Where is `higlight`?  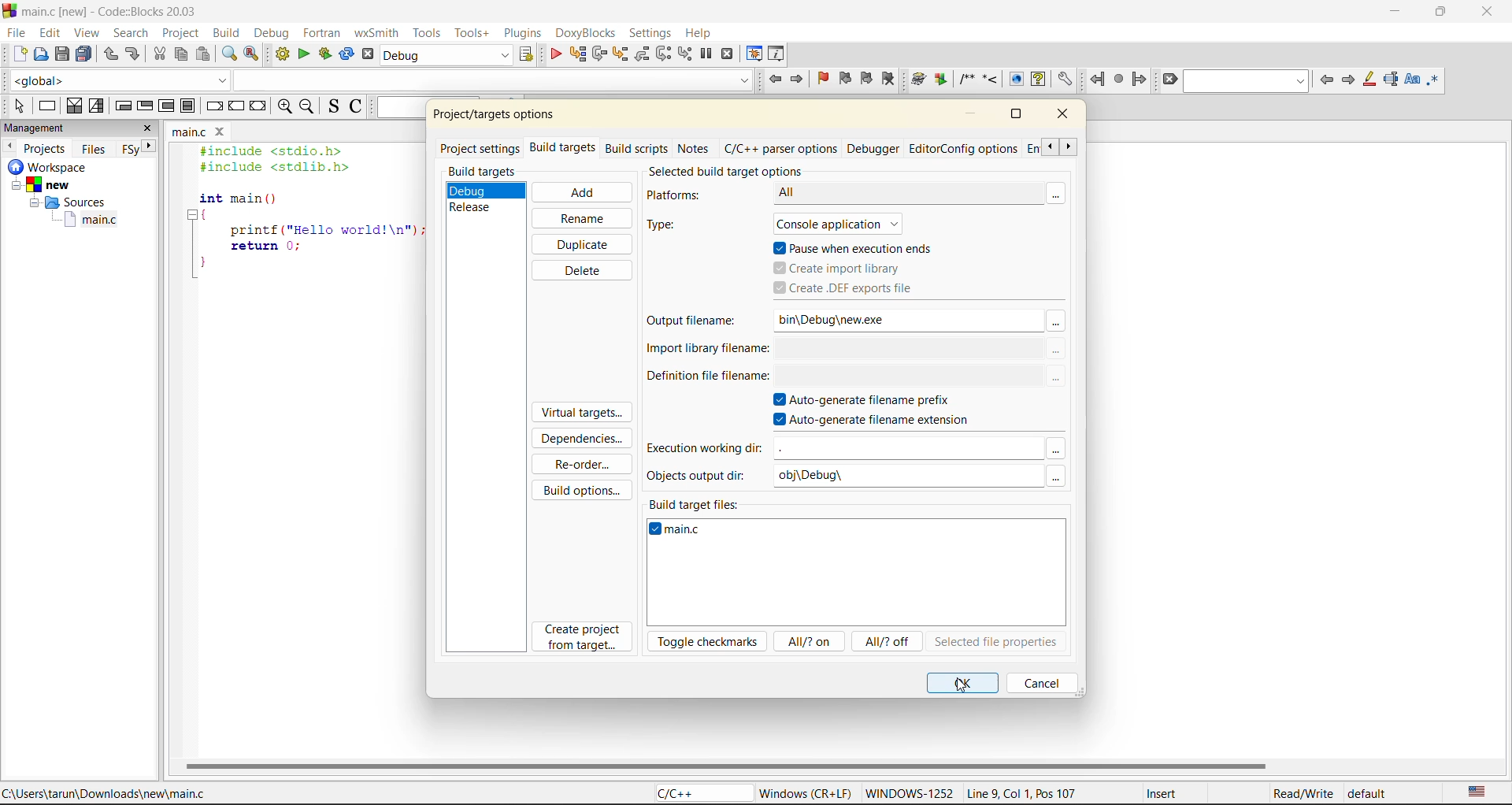
higlight is located at coordinates (1370, 80).